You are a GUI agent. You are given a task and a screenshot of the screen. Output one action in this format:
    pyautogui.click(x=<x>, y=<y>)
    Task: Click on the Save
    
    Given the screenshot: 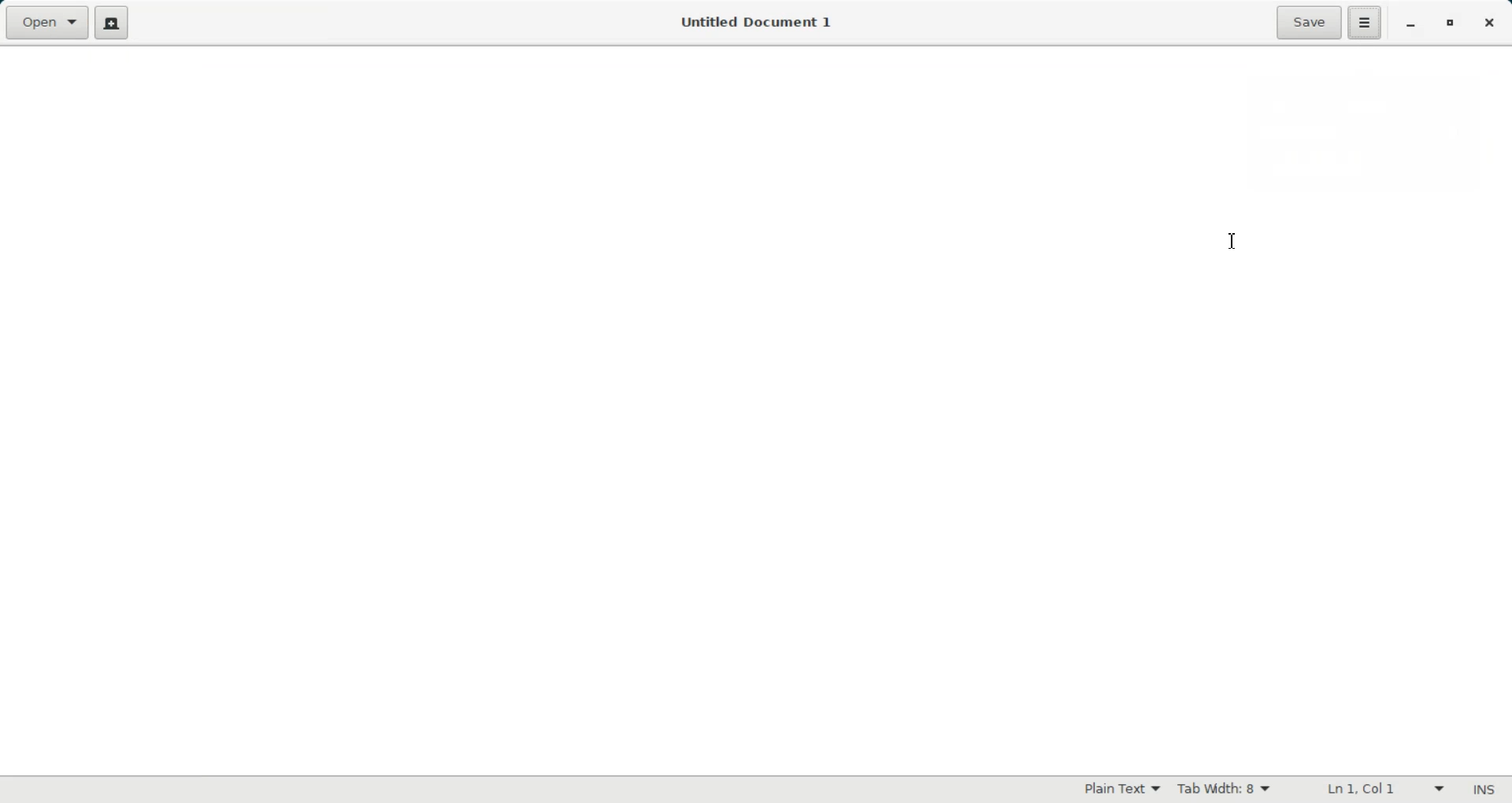 What is the action you would take?
    pyautogui.click(x=1307, y=23)
    